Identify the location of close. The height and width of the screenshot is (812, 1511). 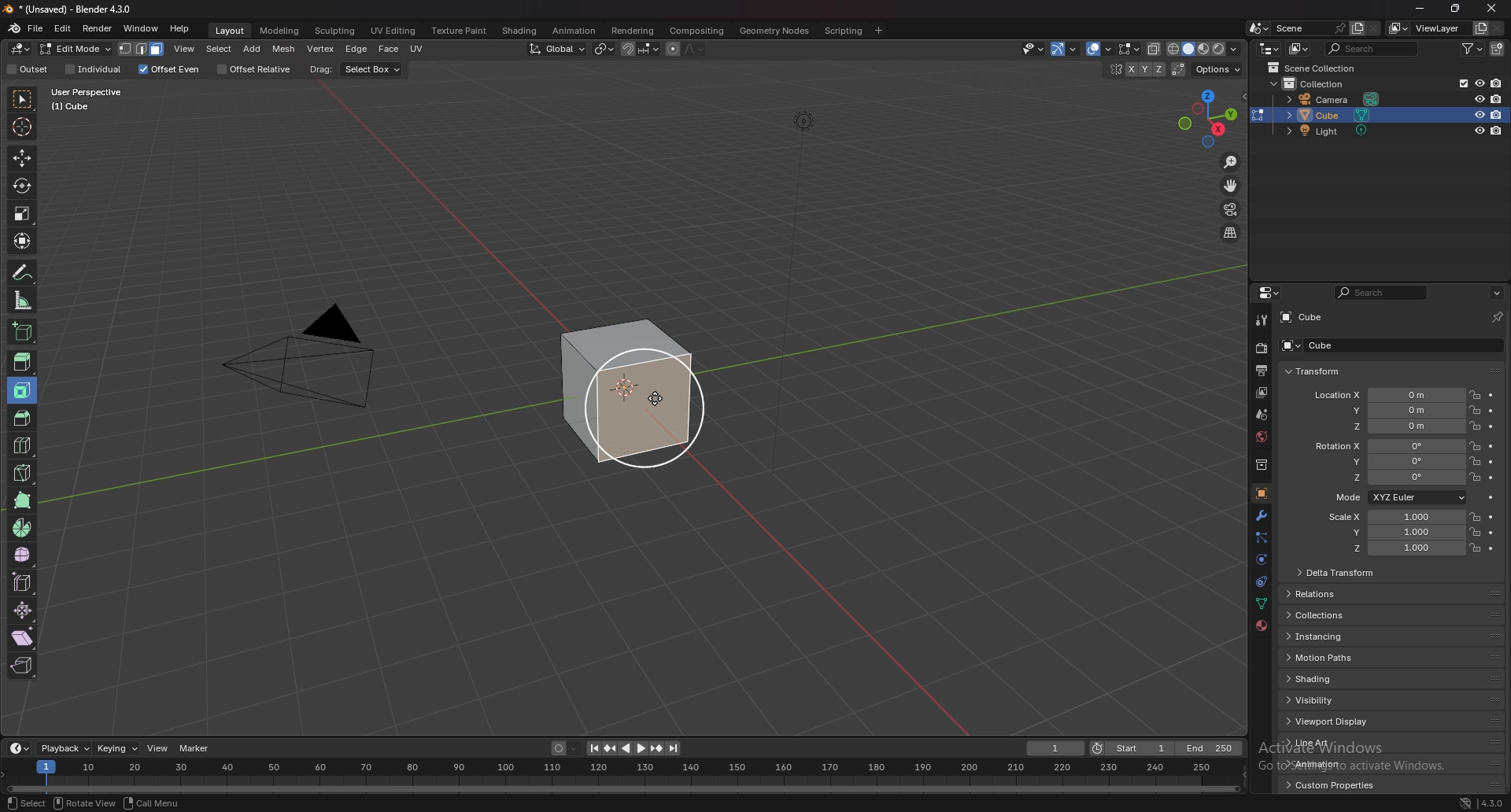
(1493, 9).